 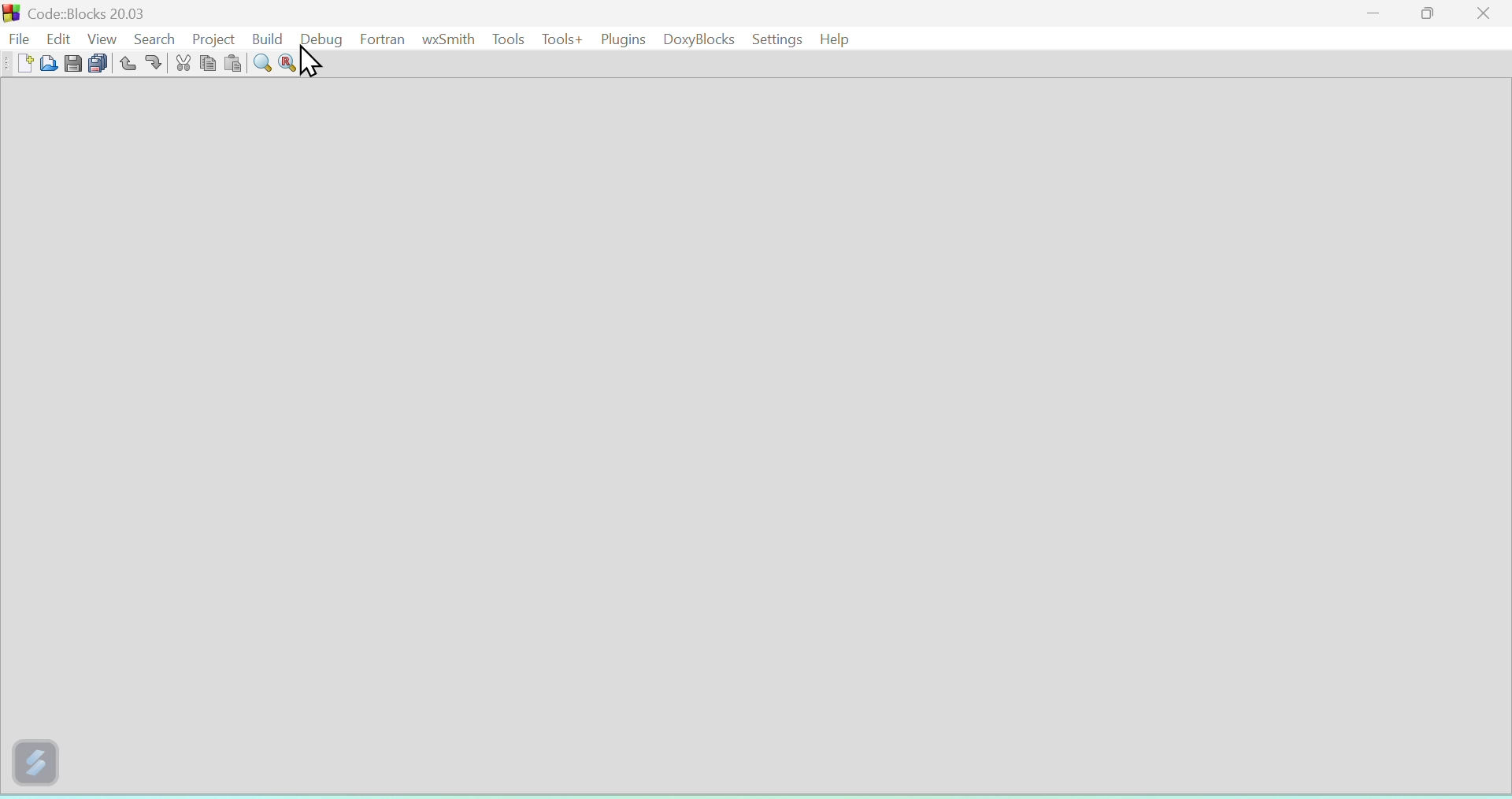 I want to click on Fortran, so click(x=382, y=37).